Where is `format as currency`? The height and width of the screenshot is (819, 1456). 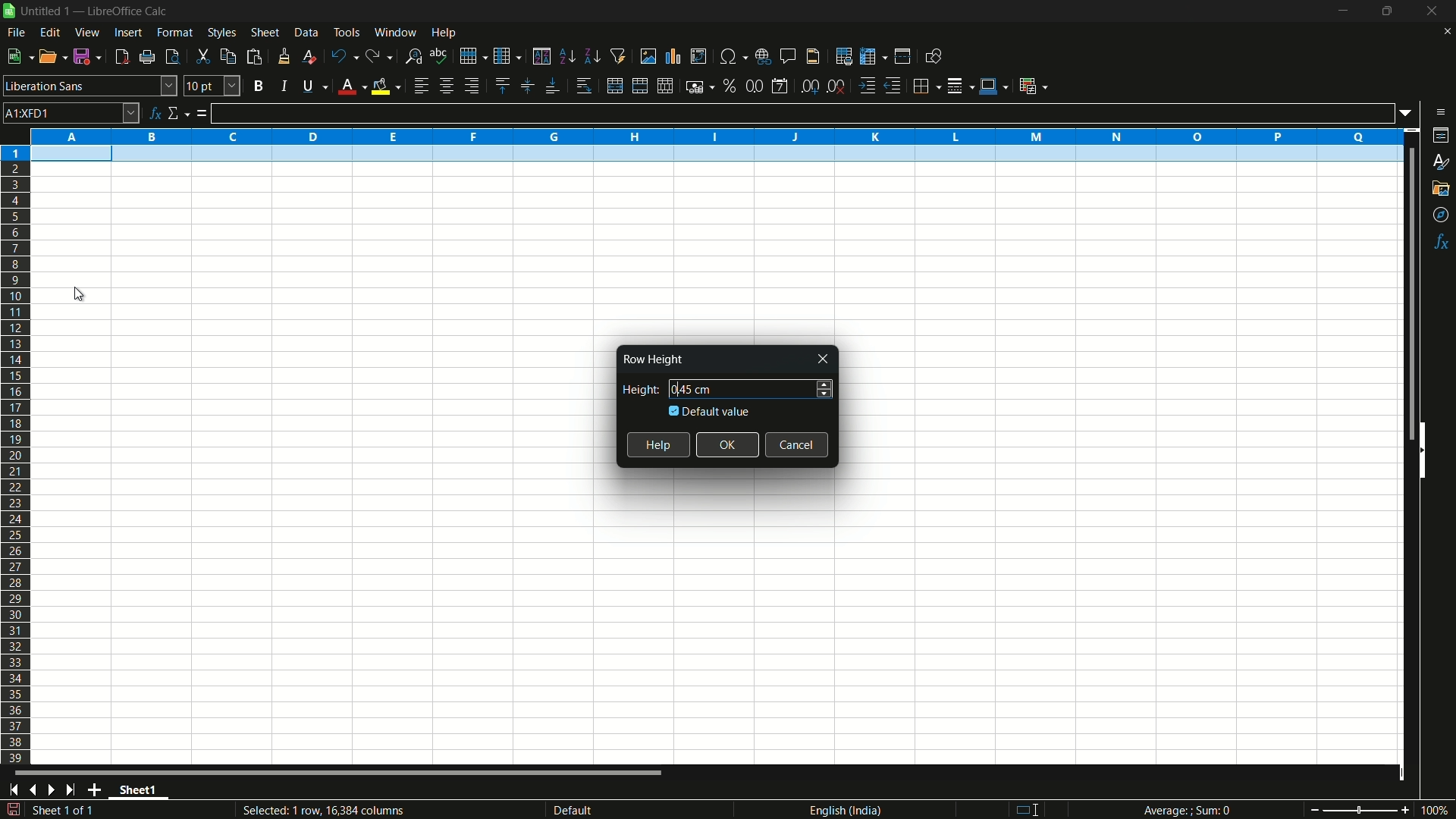
format as currency is located at coordinates (700, 86).